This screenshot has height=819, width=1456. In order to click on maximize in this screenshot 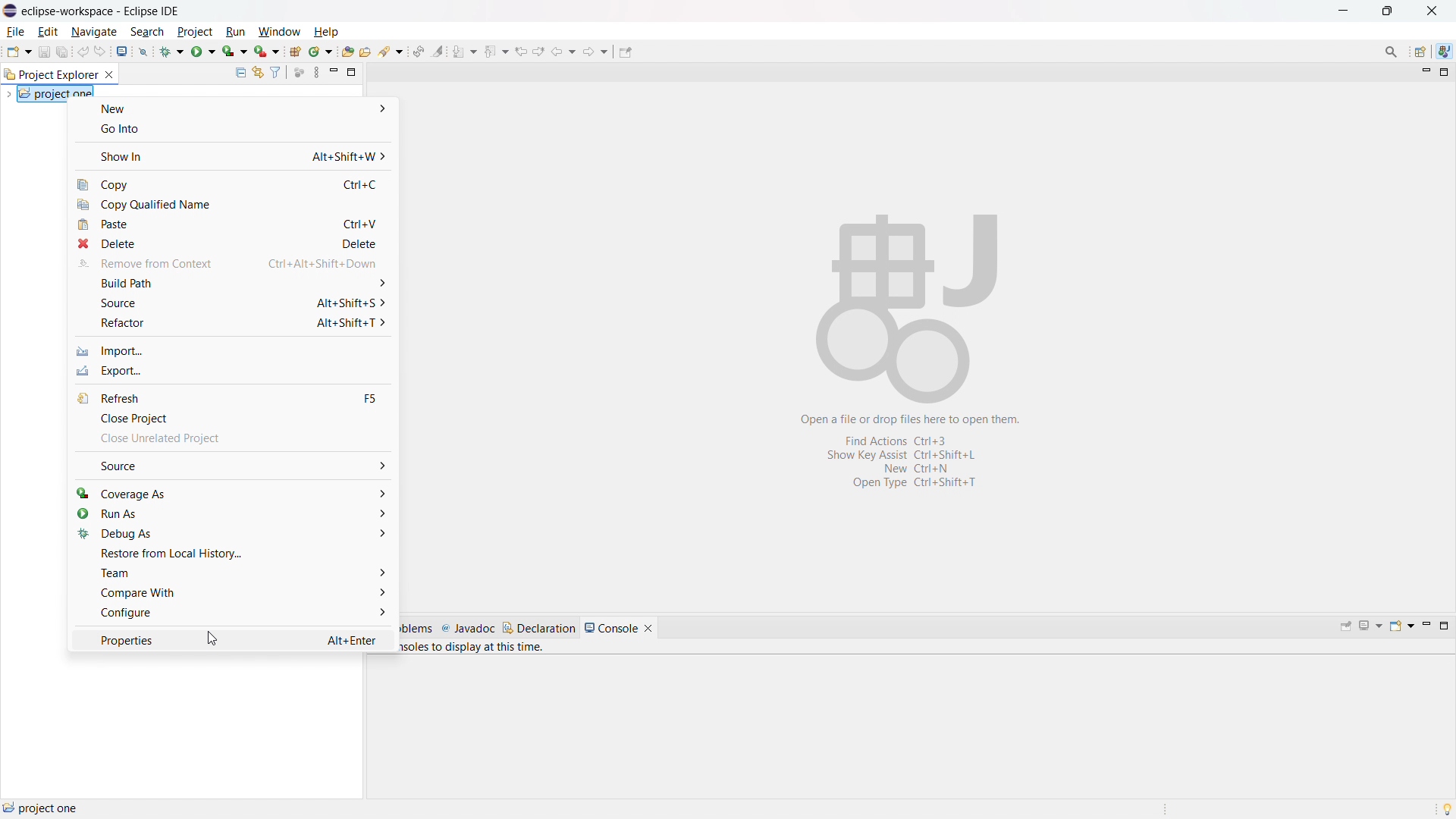, I will do `click(1445, 73)`.